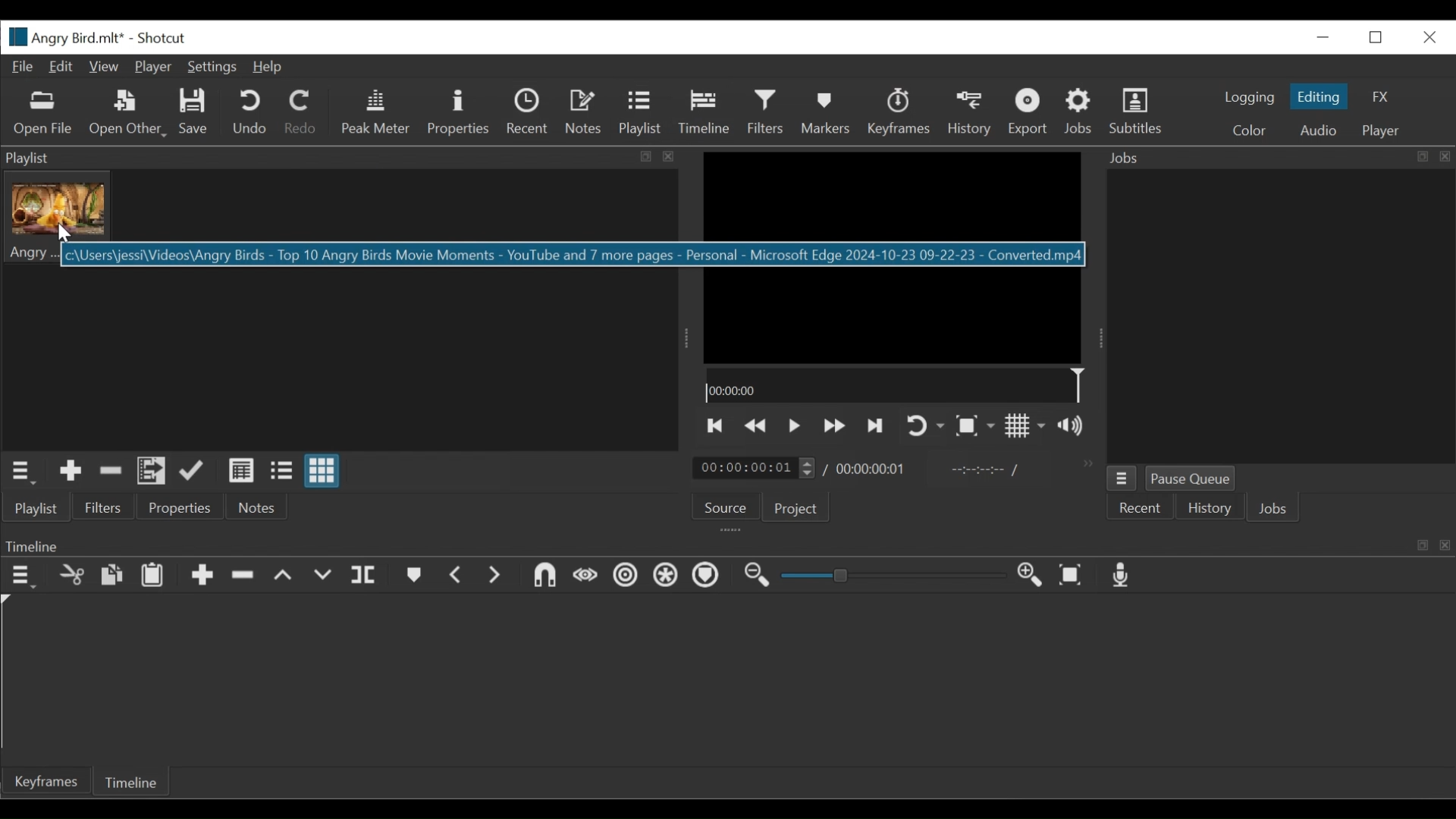 The width and height of the screenshot is (1456, 819). Describe the element at coordinates (1073, 427) in the screenshot. I see `Show volume control` at that location.